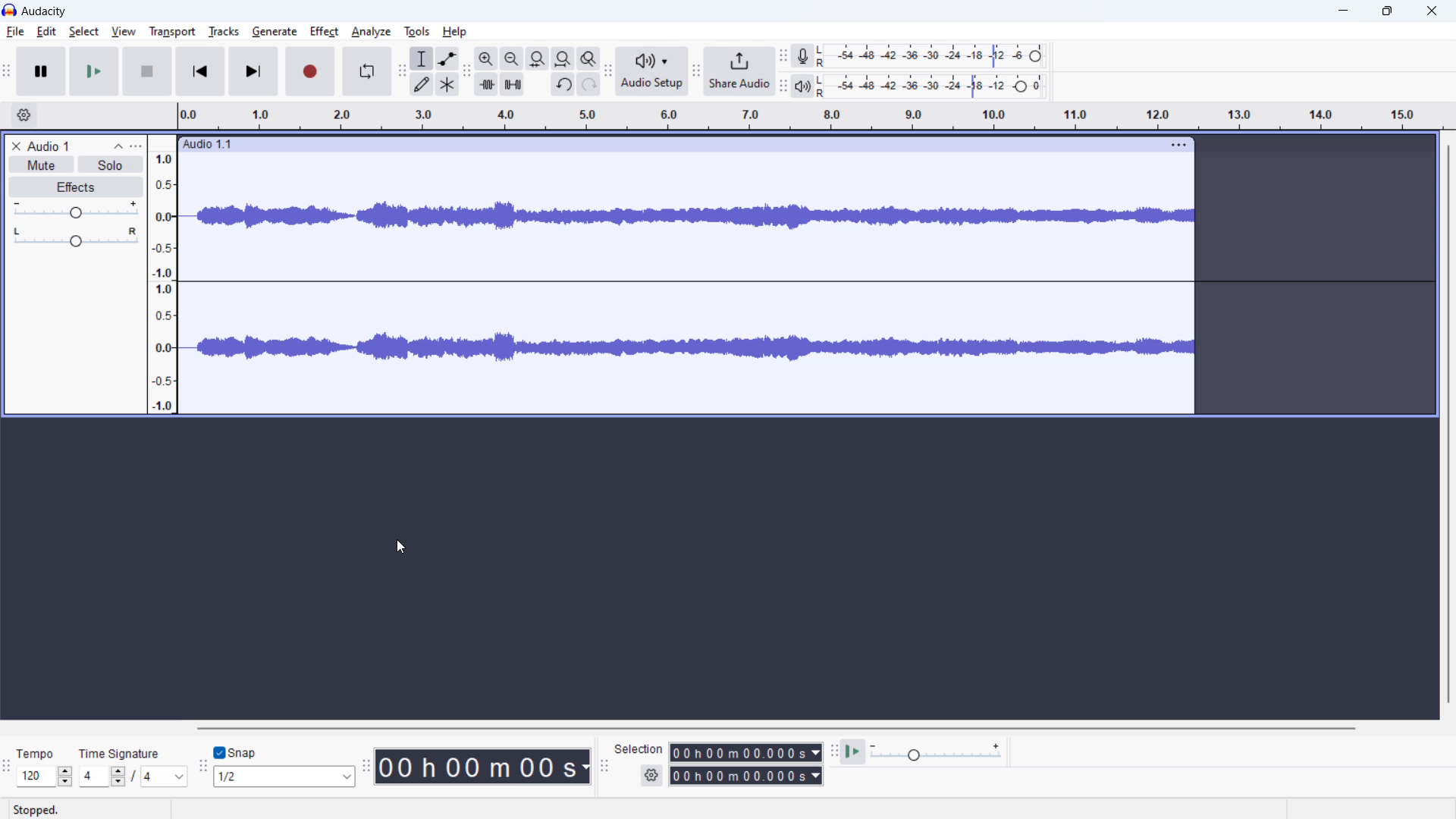  Describe the element at coordinates (173, 32) in the screenshot. I see `transport` at that location.